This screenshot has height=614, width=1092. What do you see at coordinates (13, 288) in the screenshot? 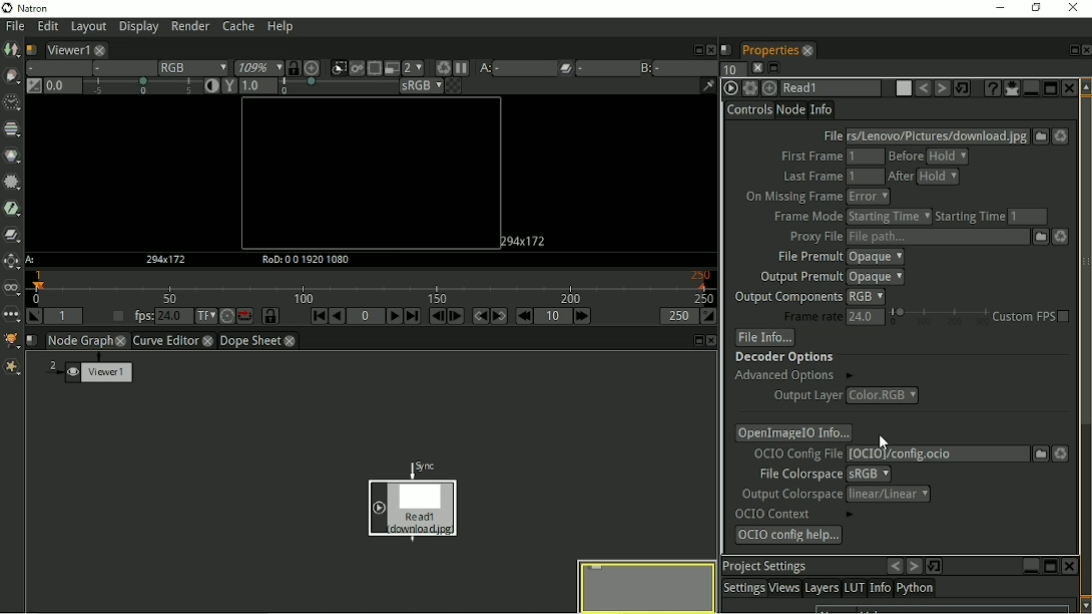
I see `Views` at bounding box center [13, 288].